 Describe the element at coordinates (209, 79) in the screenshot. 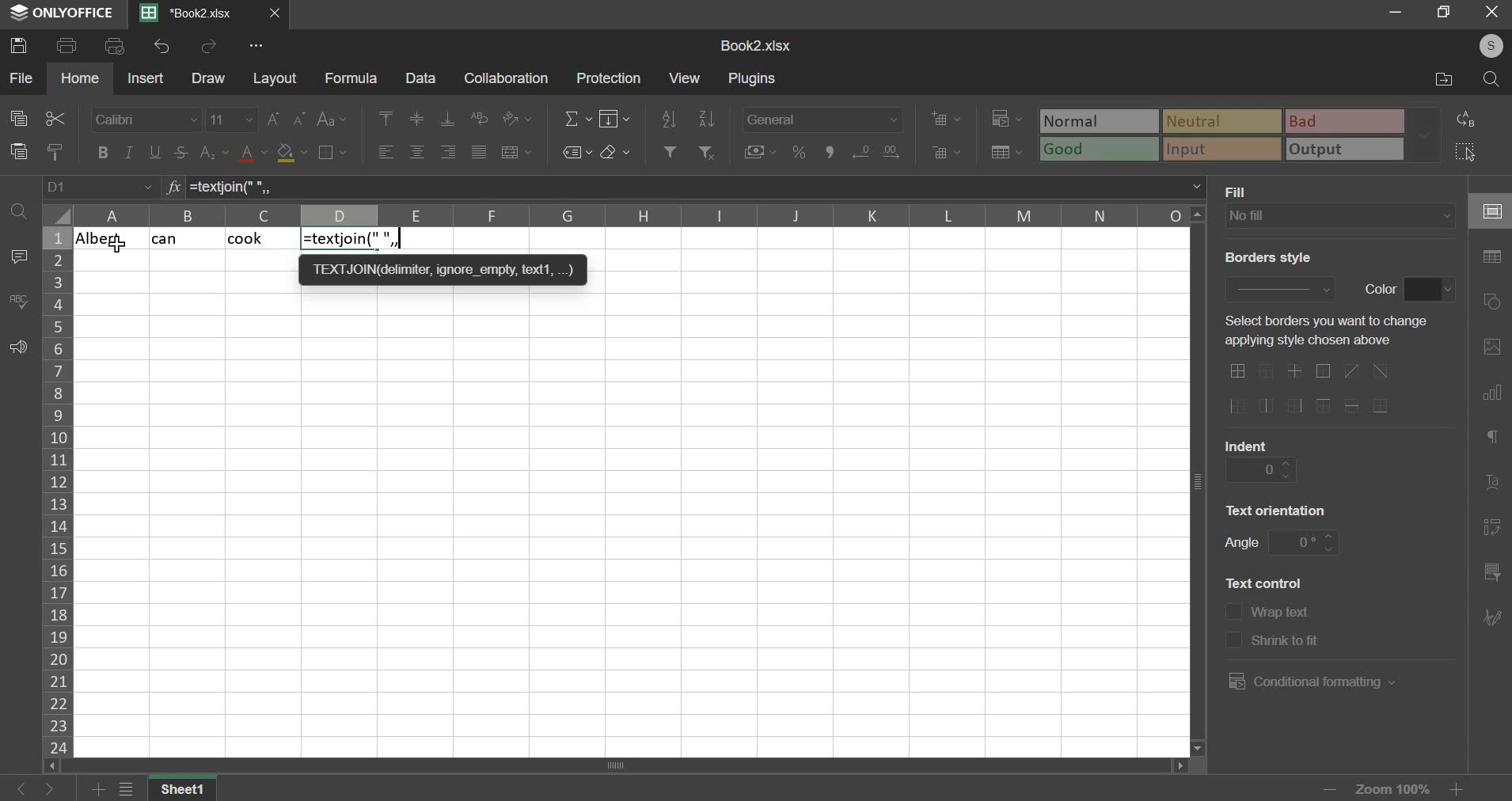

I see `draw` at that location.